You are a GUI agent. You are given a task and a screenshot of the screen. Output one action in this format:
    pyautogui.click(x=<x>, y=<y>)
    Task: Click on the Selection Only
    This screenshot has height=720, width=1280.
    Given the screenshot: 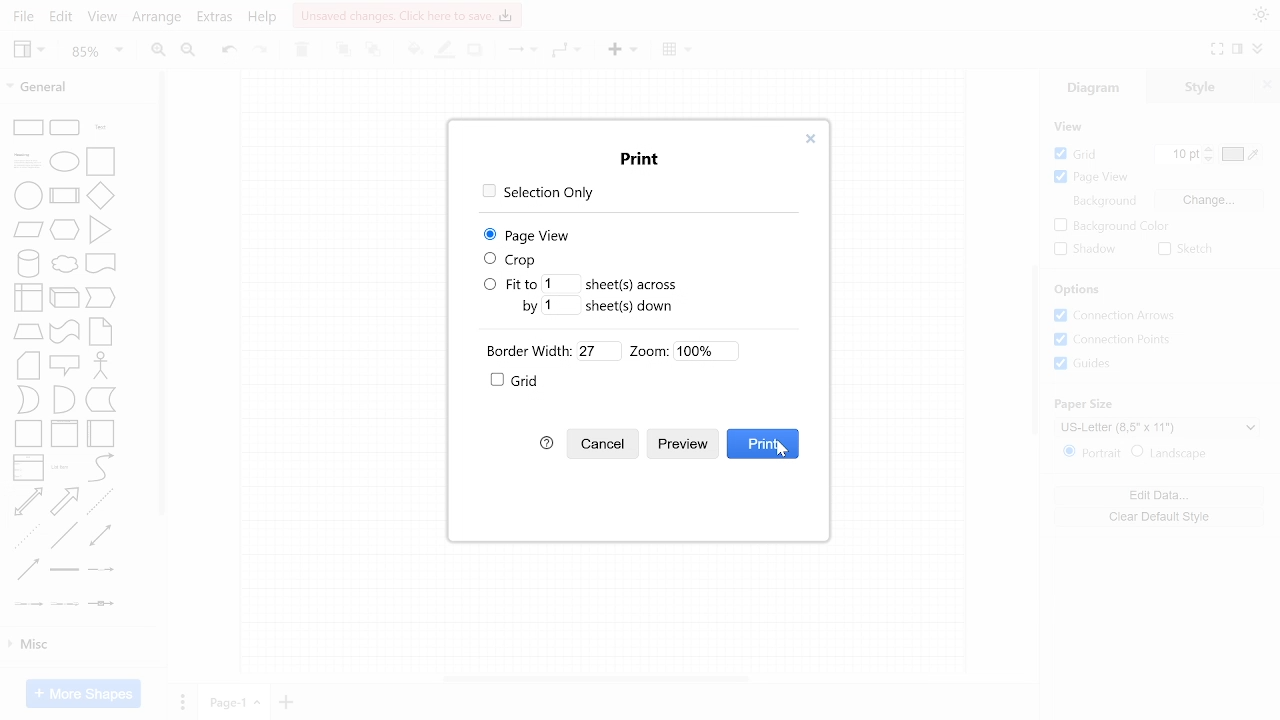 What is the action you would take?
    pyautogui.click(x=539, y=193)
    